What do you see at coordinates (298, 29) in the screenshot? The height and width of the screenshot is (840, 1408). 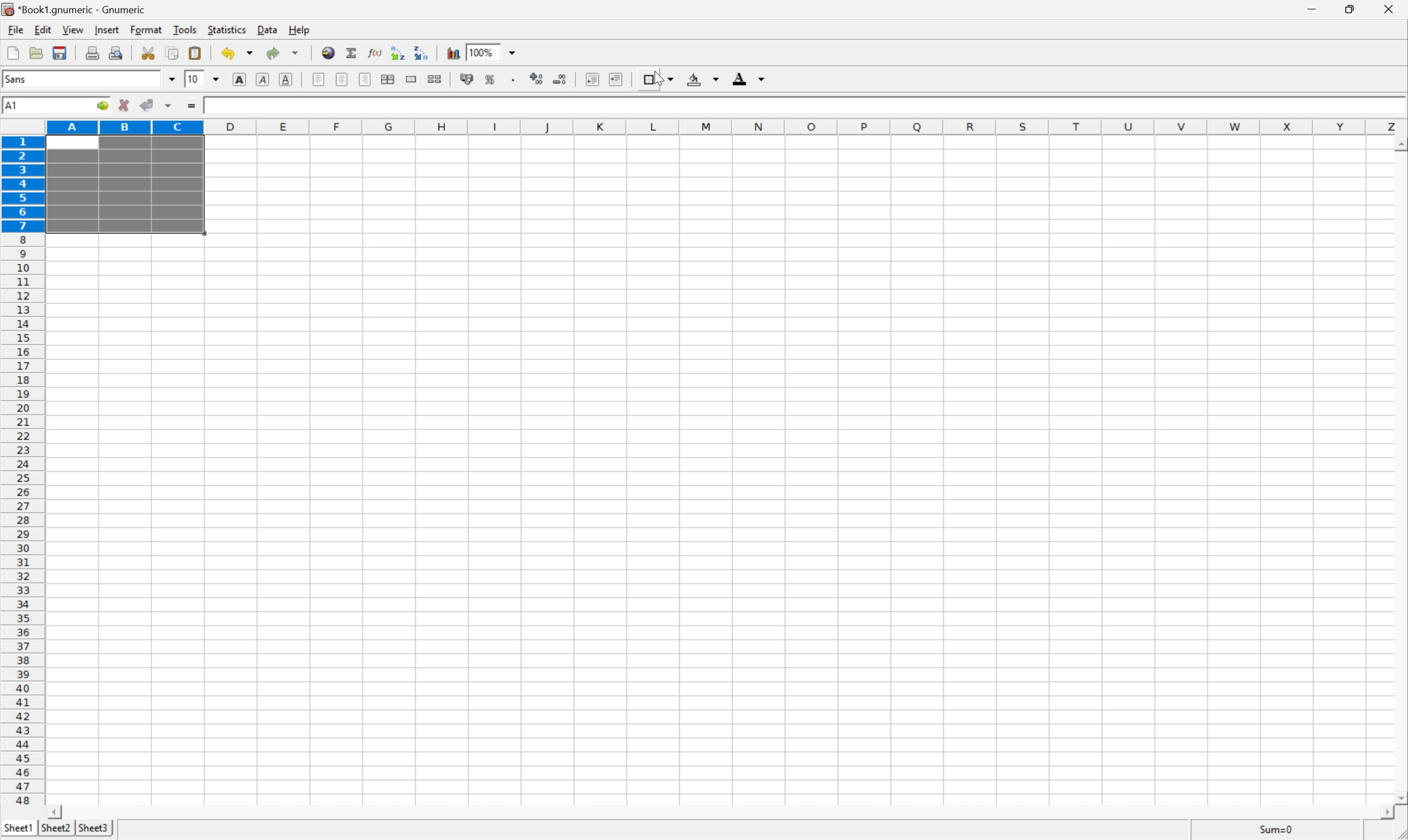 I see `help` at bounding box center [298, 29].